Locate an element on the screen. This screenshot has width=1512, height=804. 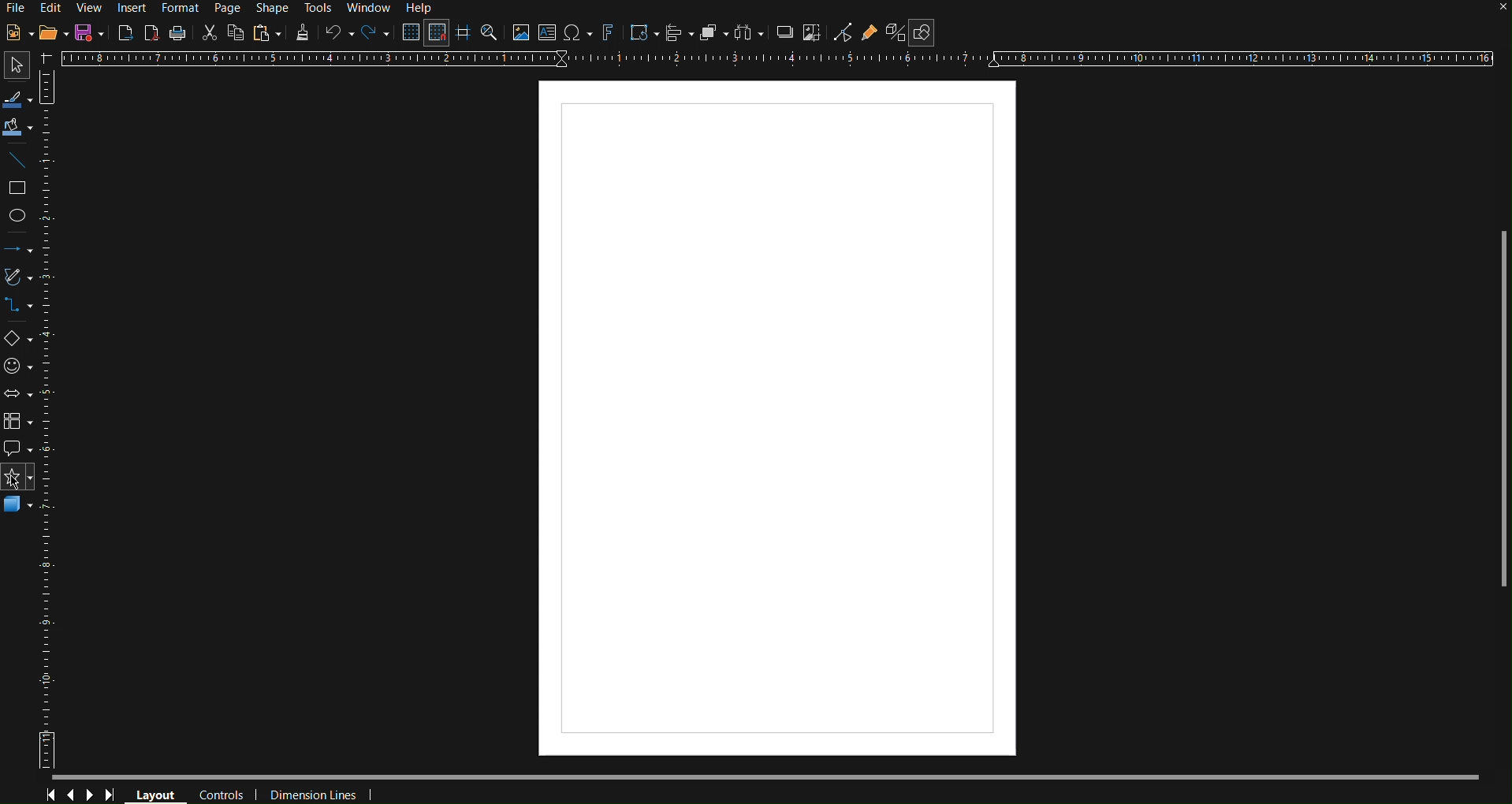
Copy is located at coordinates (234, 33).